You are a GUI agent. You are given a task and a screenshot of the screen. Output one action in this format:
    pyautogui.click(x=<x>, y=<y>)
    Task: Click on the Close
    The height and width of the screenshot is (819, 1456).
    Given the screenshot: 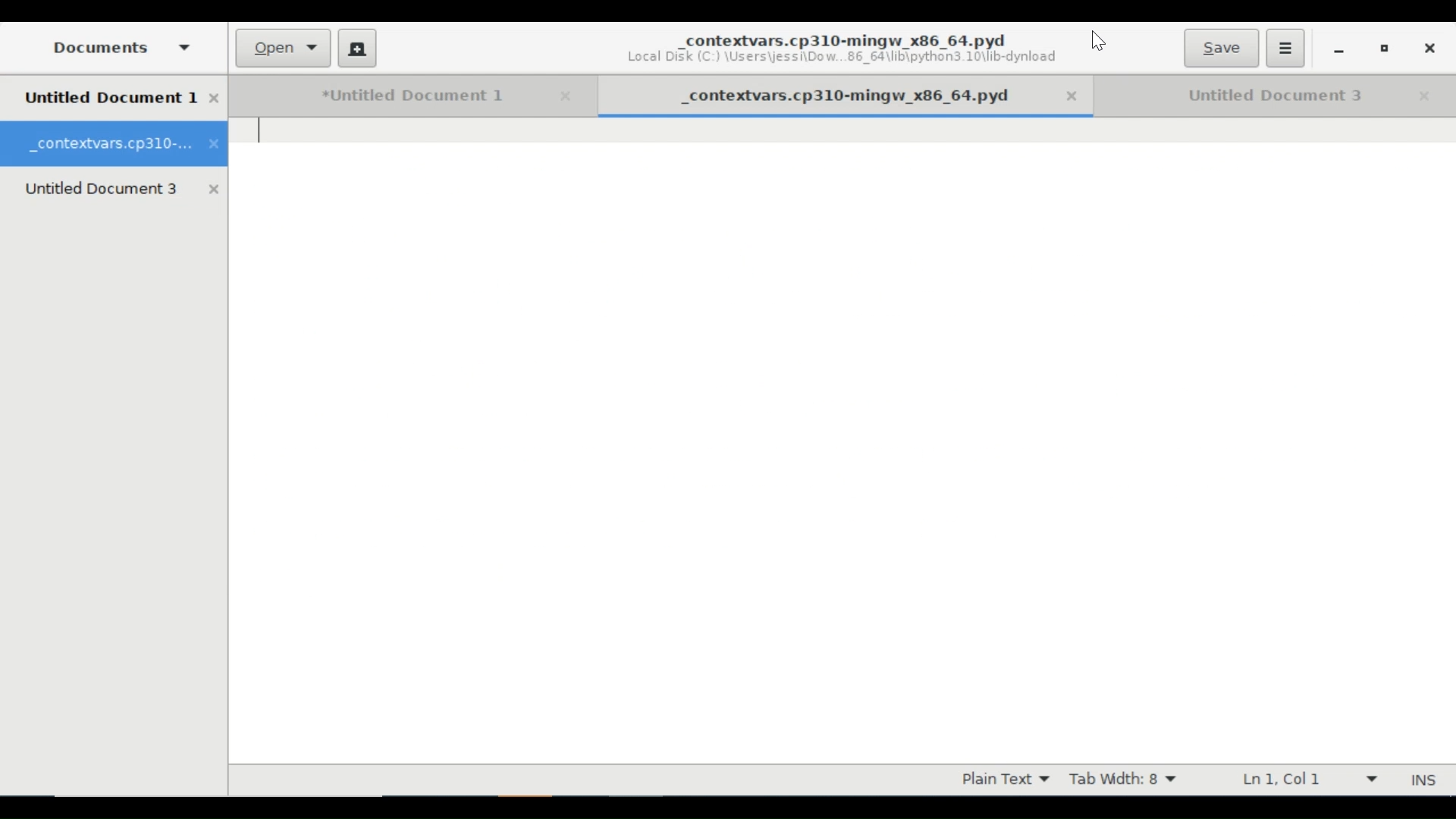 What is the action you would take?
    pyautogui.click(x=562, y=96)
    